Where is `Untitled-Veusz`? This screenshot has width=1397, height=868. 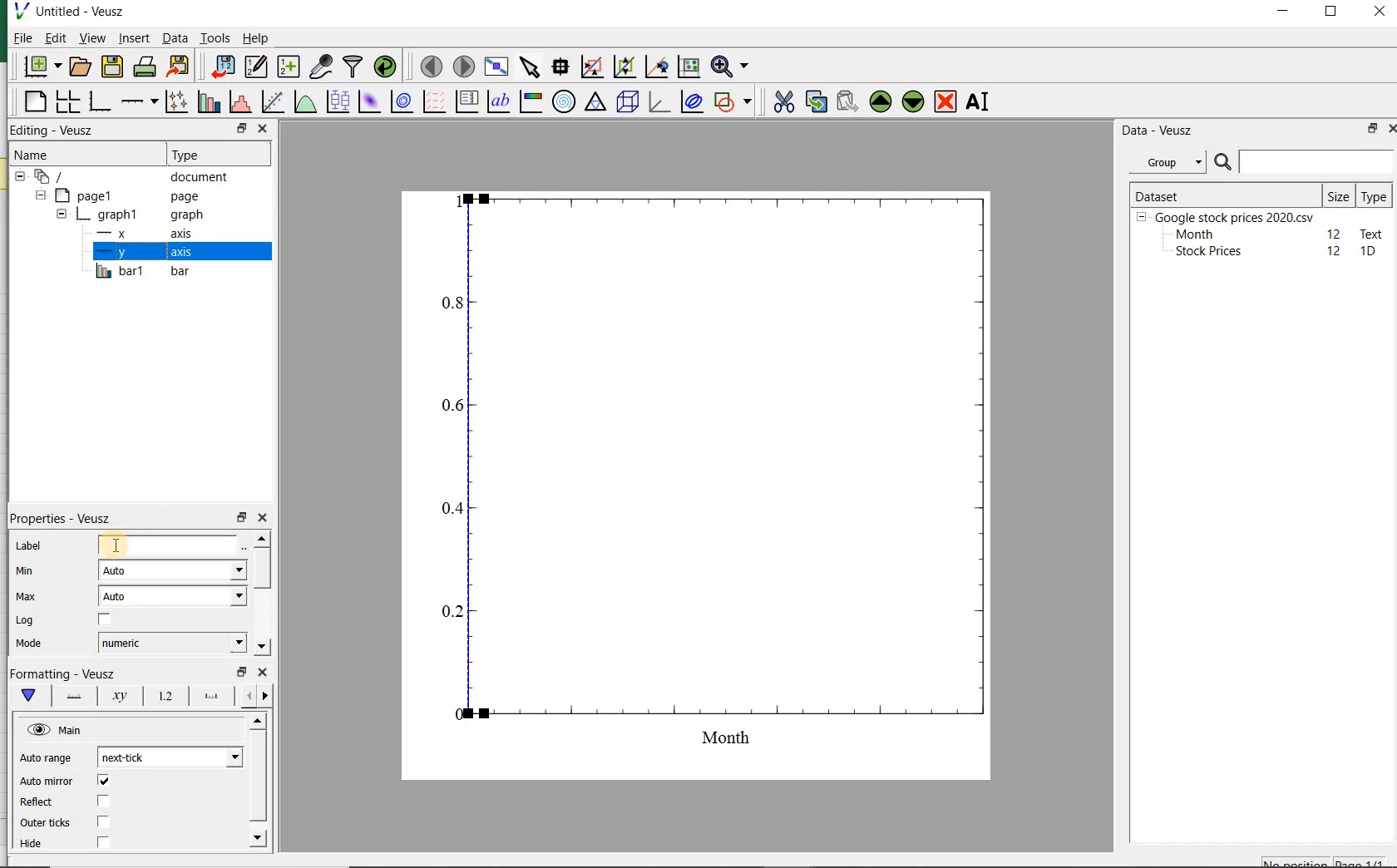 Untitled-Veusz is located at coordinates (77, 12).